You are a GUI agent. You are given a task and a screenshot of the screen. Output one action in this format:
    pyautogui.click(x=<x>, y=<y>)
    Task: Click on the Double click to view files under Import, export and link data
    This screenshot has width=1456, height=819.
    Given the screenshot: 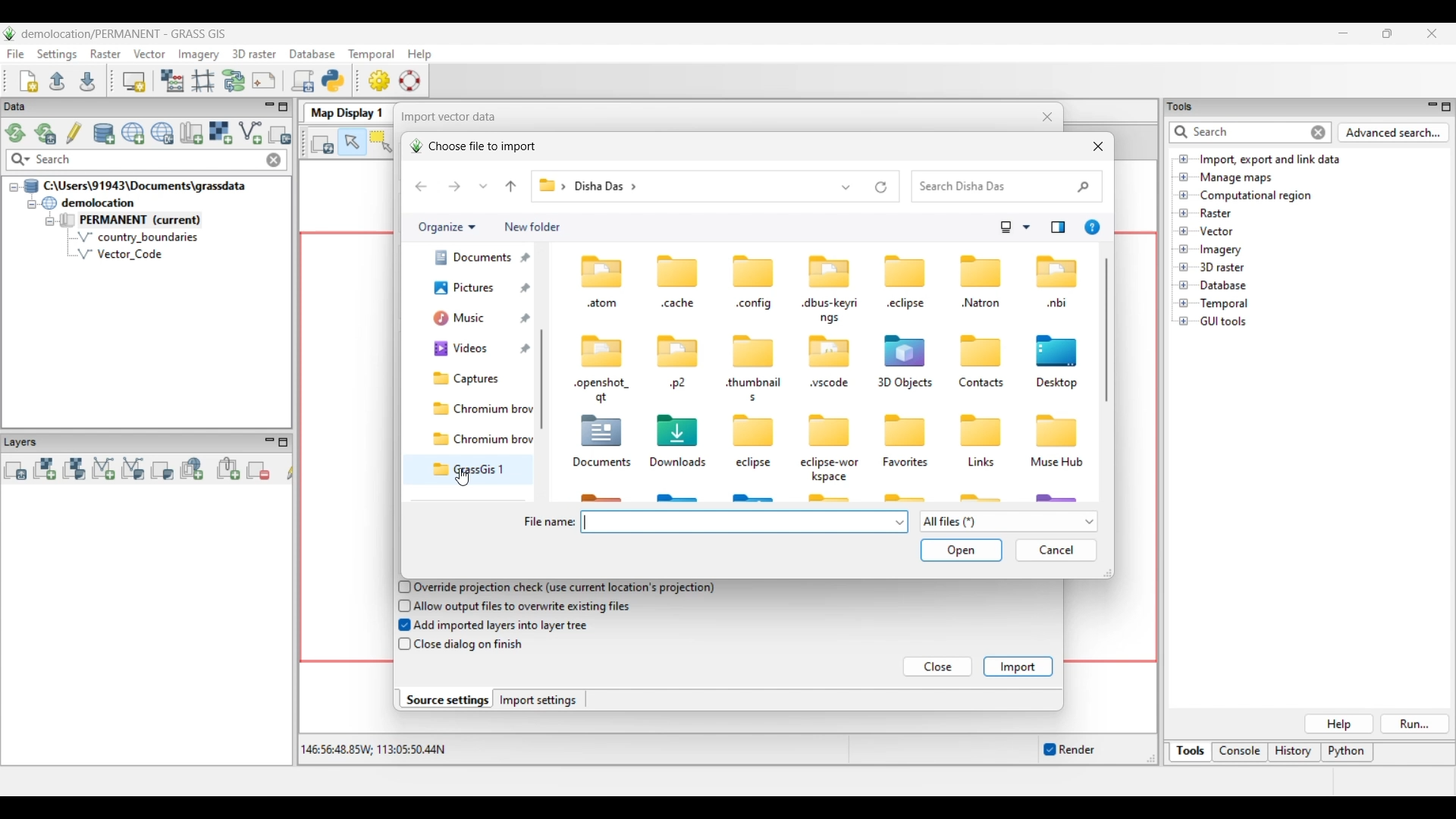 What is the action you would take?
    pyautogui.click(x=1270, y=160)
    